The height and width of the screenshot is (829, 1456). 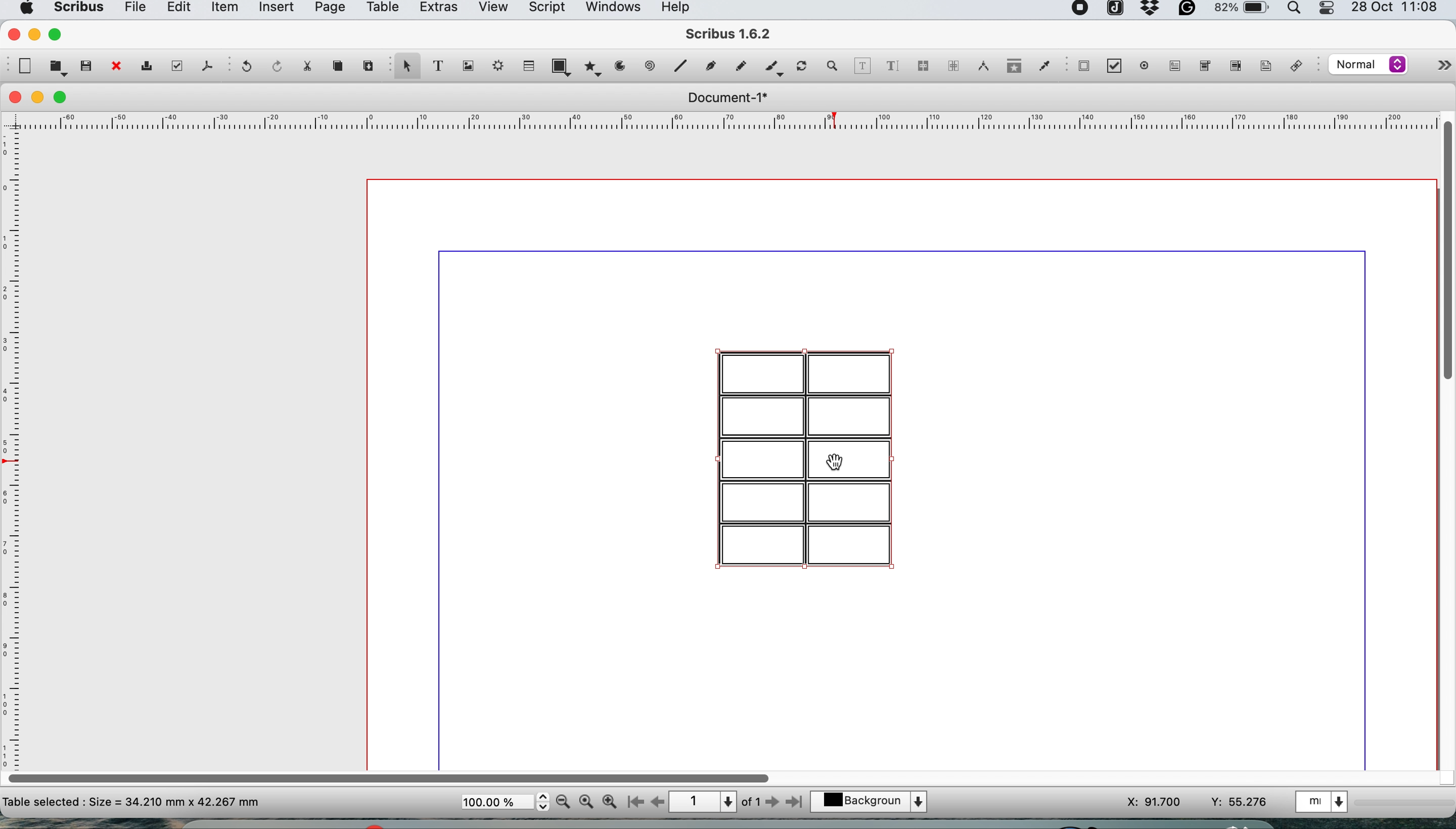 What do you see at coordinates (174, 65) in the screenshot?
I see `preflight verifier` at bounding box center [174, 65].